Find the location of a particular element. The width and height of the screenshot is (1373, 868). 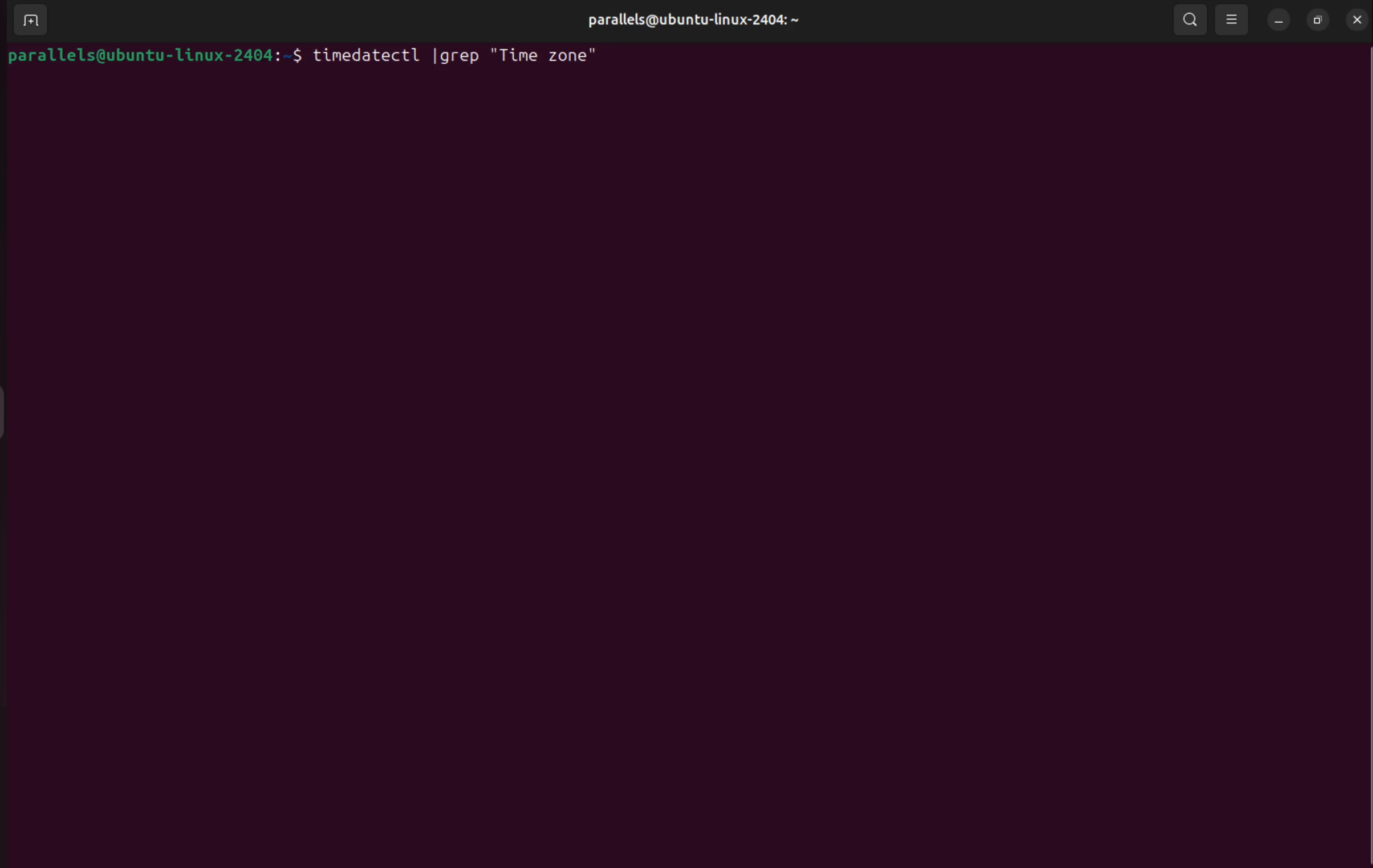

timedatectl | grep "Time zone" is located at coordinates (458, 55).